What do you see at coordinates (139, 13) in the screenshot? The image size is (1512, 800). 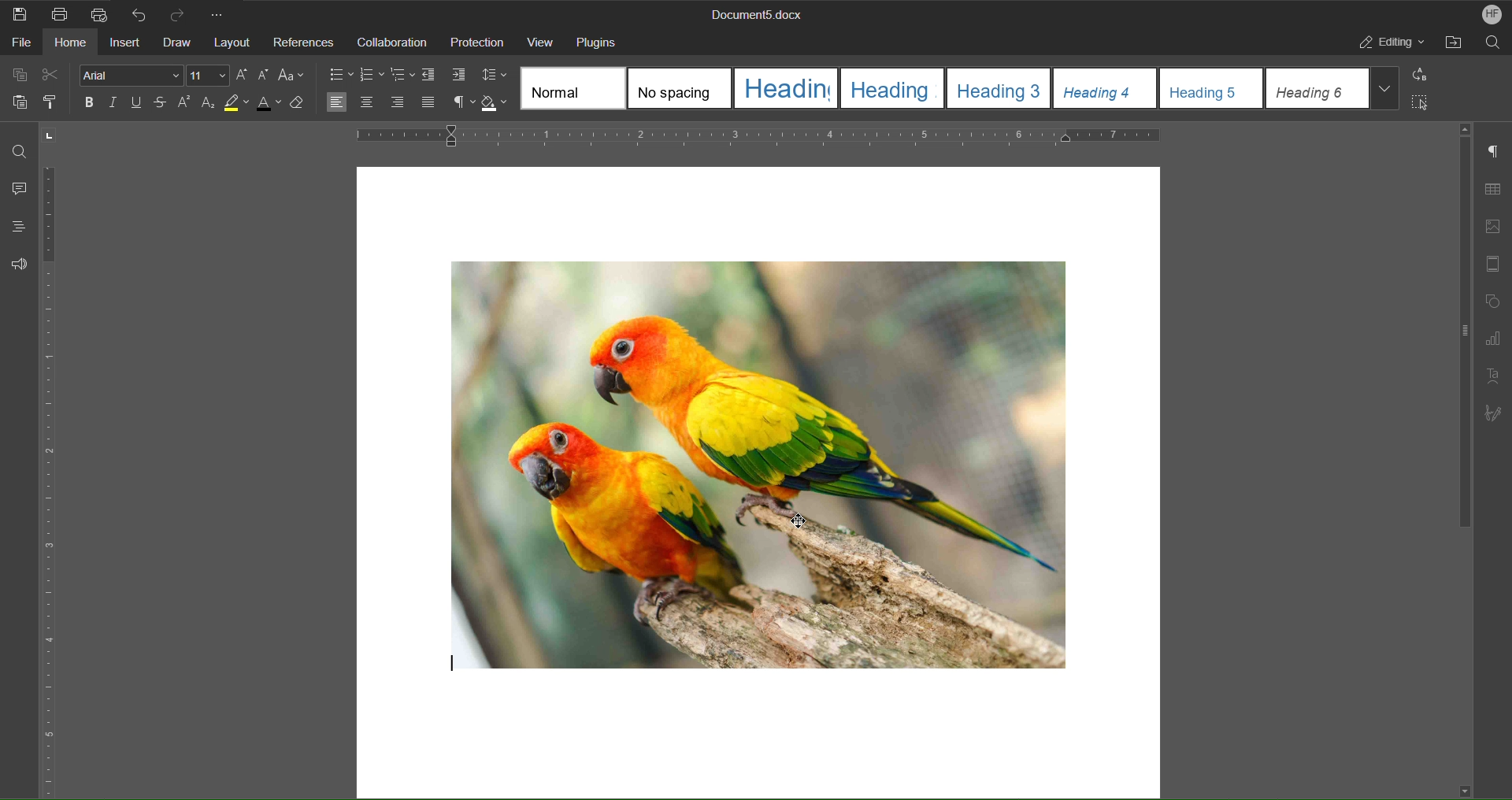 I see `Undo` at bounding box center [139, 13].